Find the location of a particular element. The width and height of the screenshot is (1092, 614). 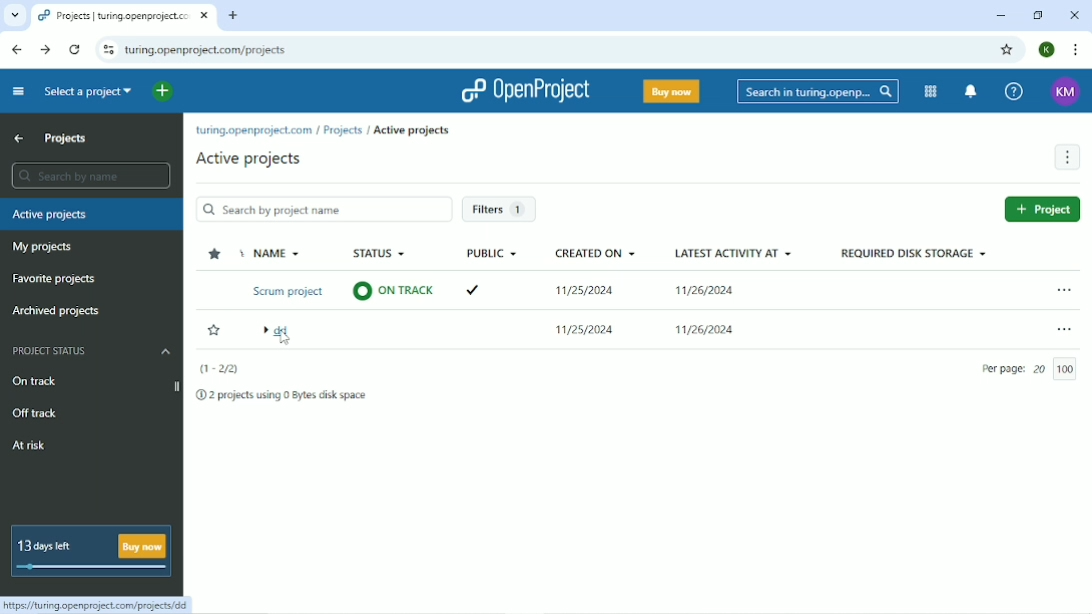

Active projects is located at coordinates (249, 159).